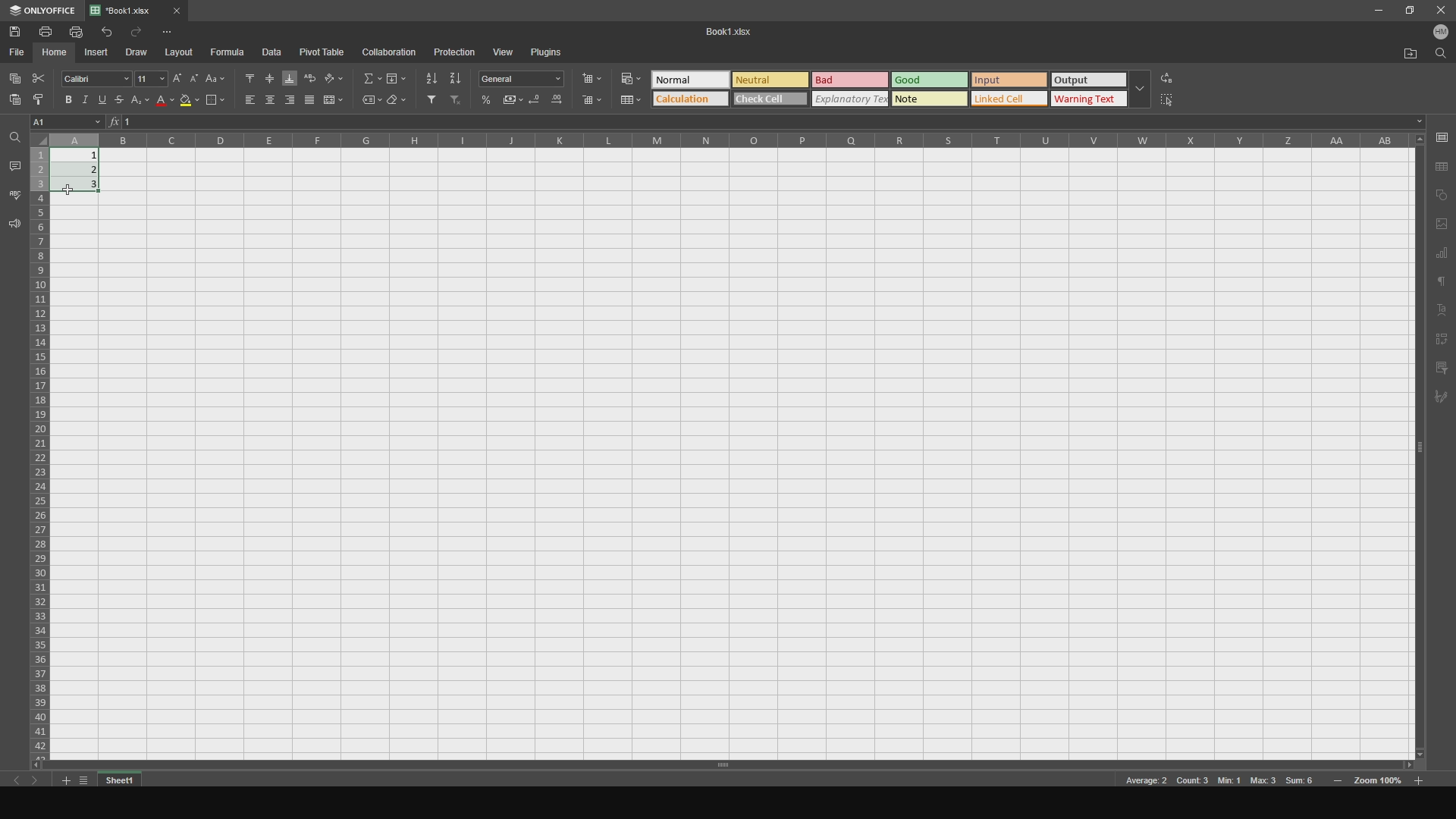 Image resolution: width=1456 pixels, height=819 pixels. Describe the element at coordinates (12, 104) in the screenshot. I see `paste` at that location.